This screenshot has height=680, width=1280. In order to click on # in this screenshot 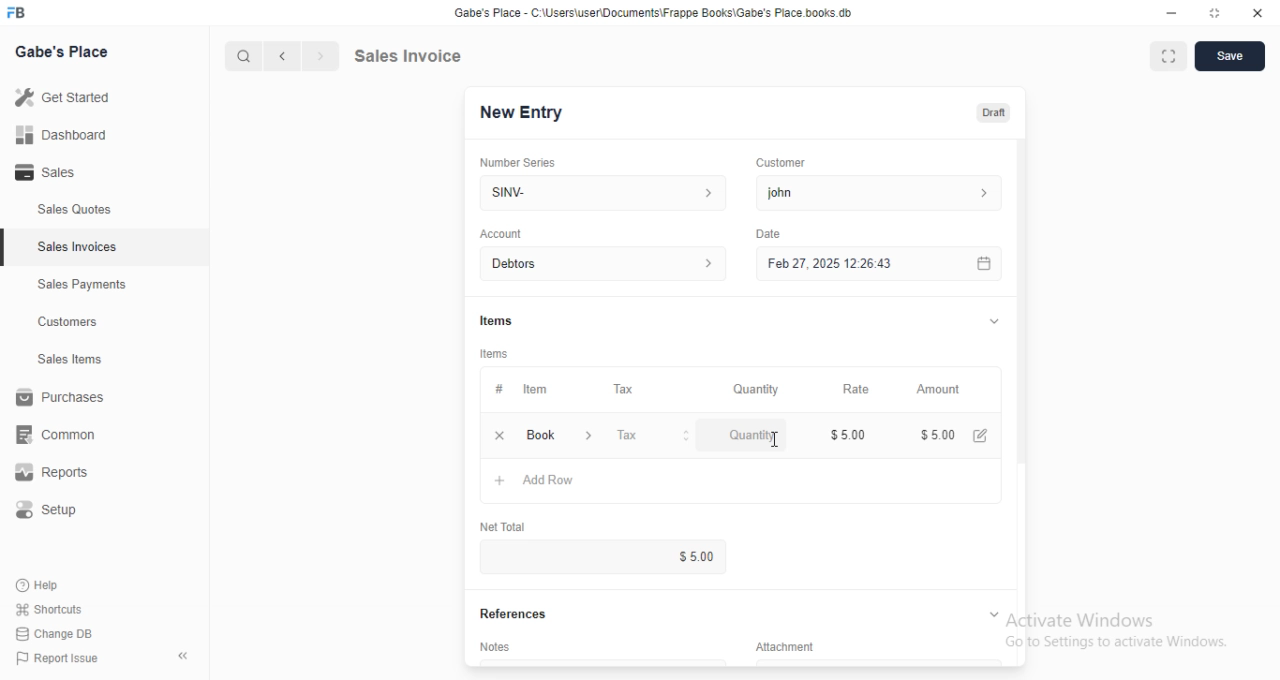, I will do `click(499, 390)`.